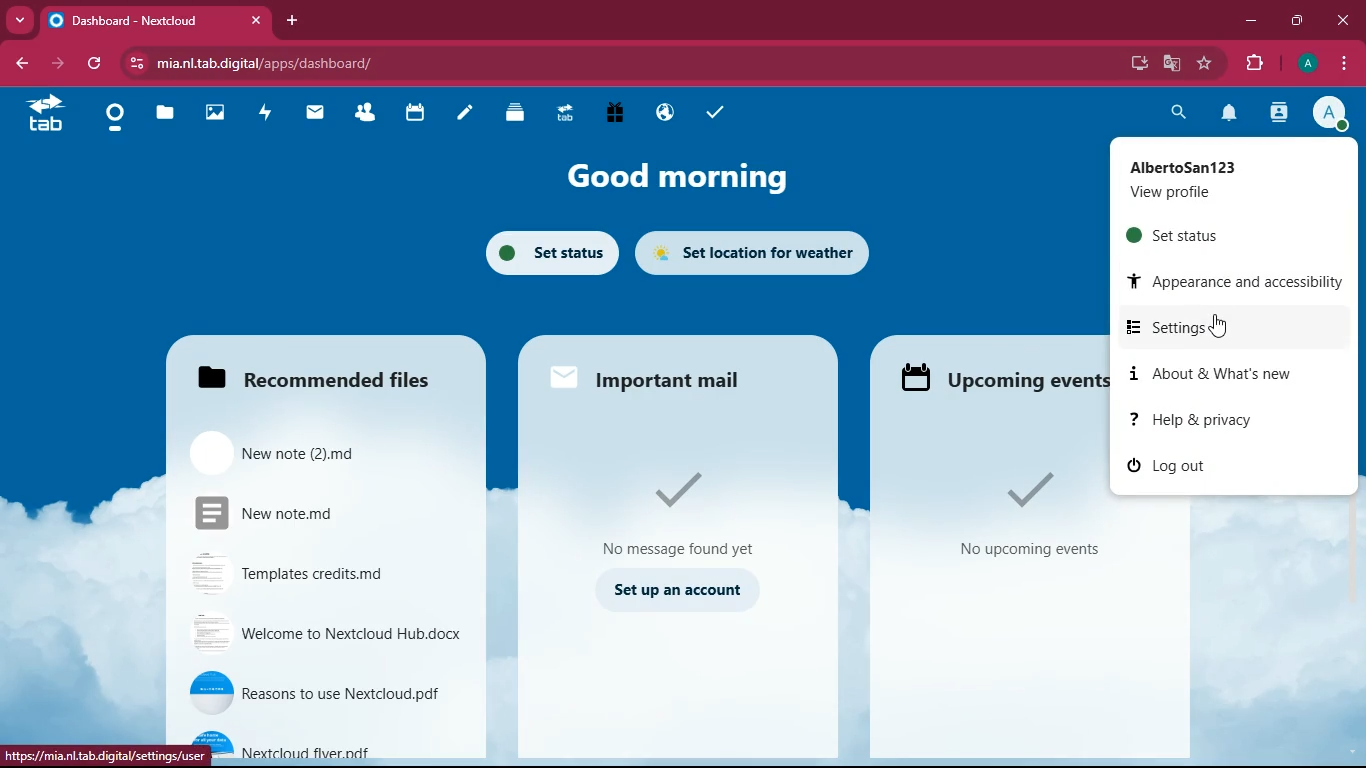  What do you see at coordinates (254, 21) in the screenshot?
I see `close` at bounding box center [254, 21].